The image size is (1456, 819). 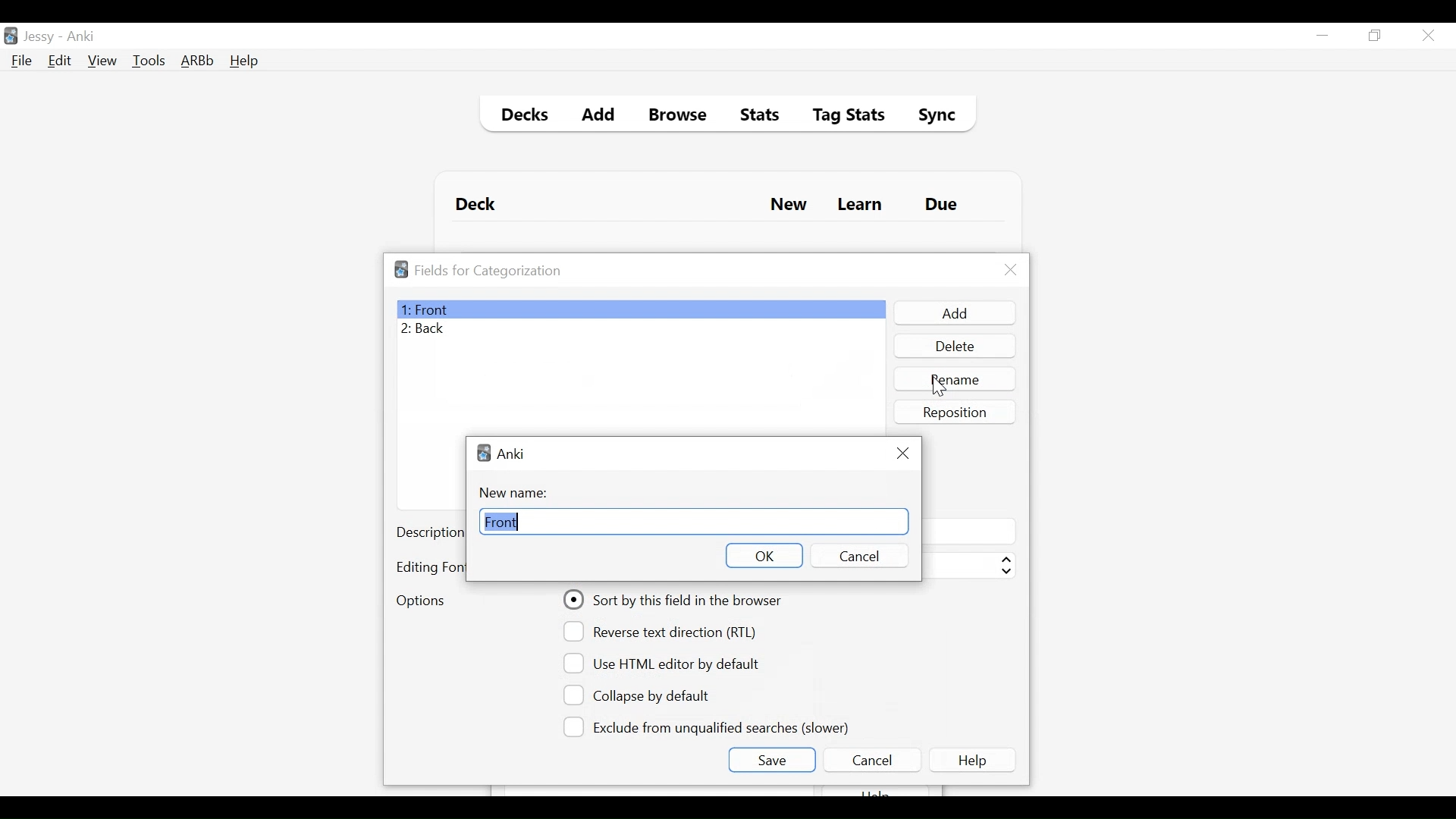 What do you see at coordinates (484, 453) in the screenshot?
I see `Anki logo` at bounding box center [484, 453].